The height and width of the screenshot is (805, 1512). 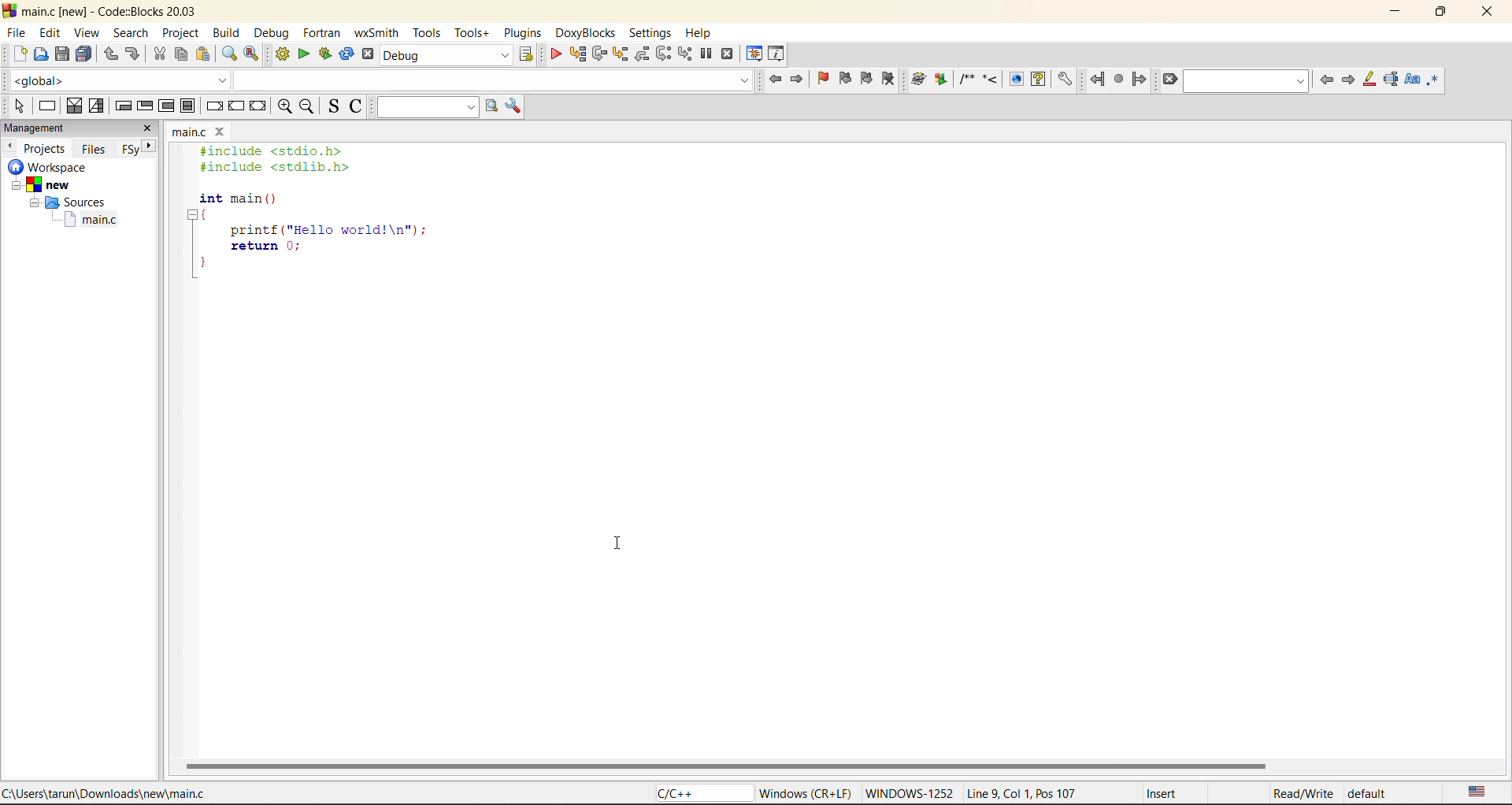 I want to click on Insert, so click(x=1185, y=792).